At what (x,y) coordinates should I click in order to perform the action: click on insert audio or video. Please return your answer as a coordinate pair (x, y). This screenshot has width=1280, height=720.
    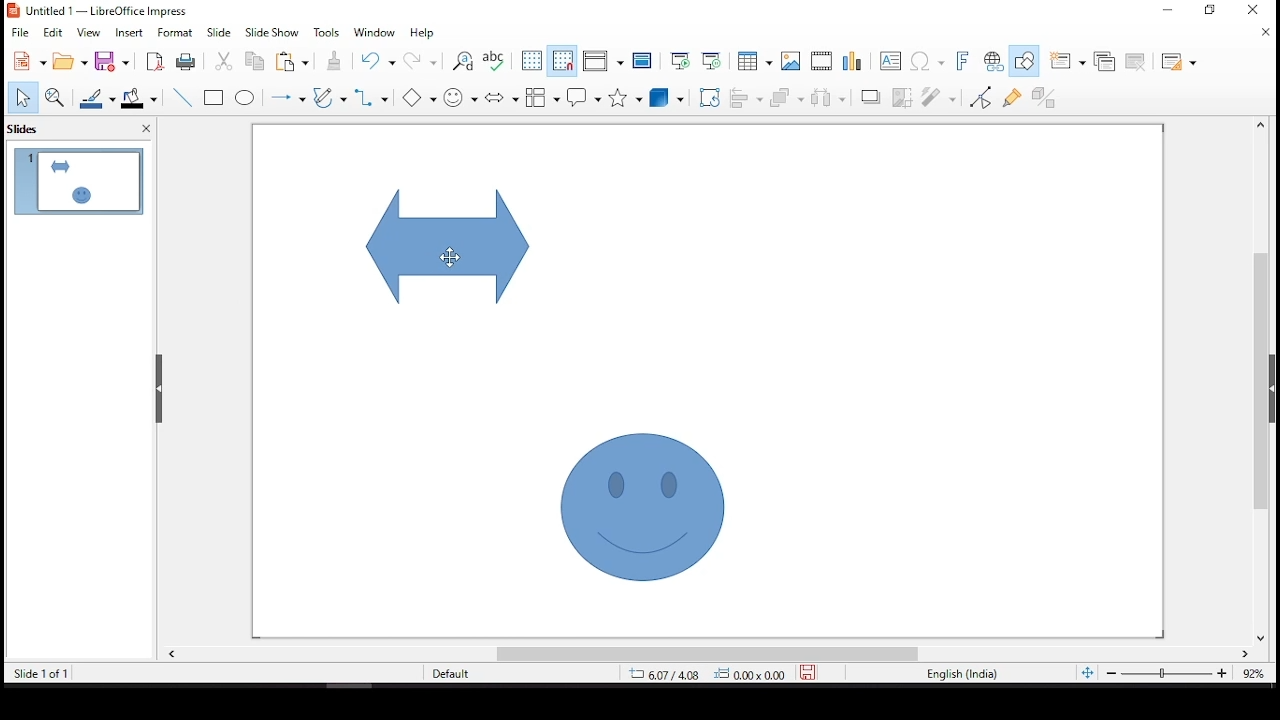
    Looking at the image, I should click on (821, 62).